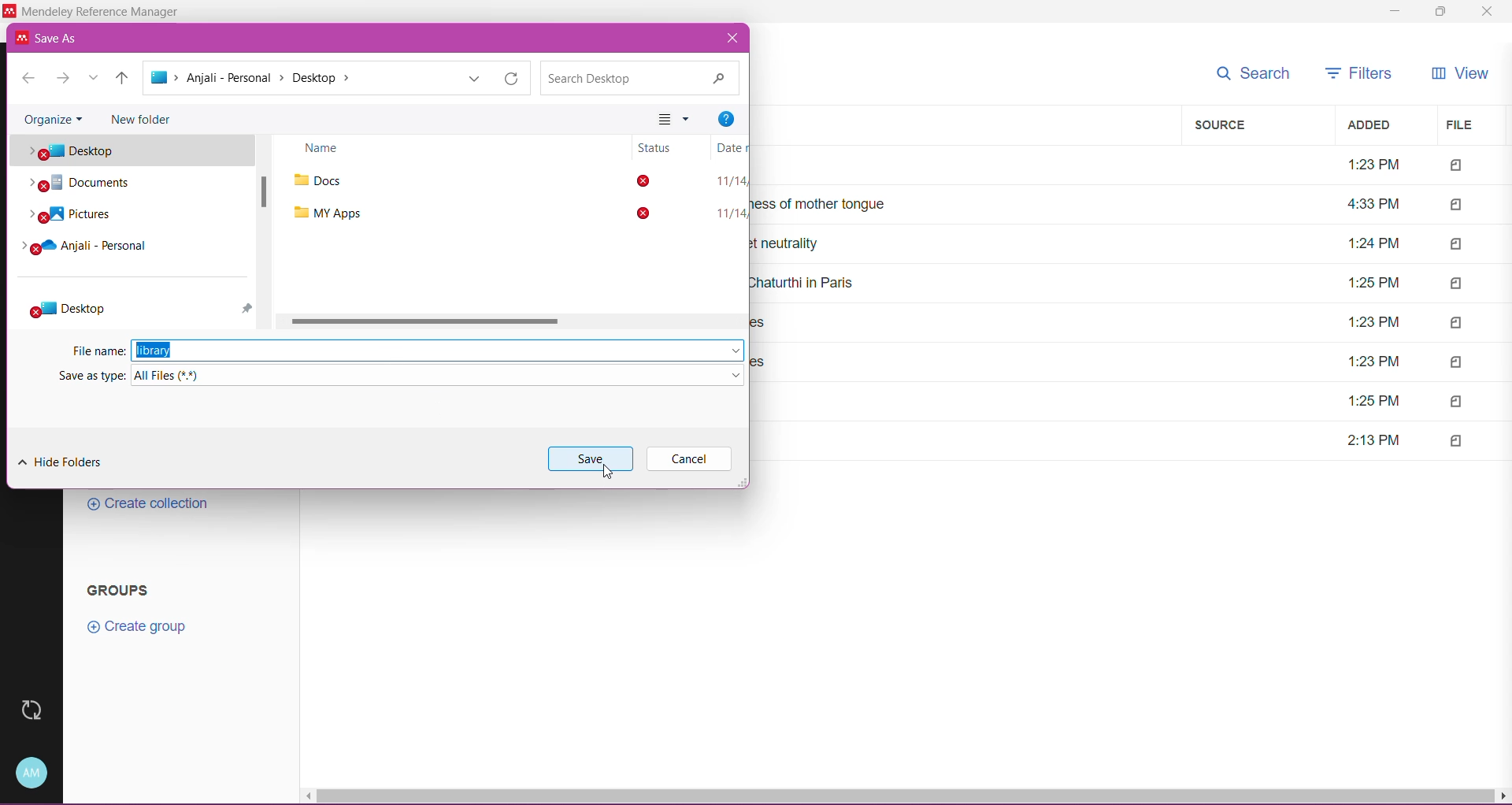  I want to click on File name, so click(96, 351).